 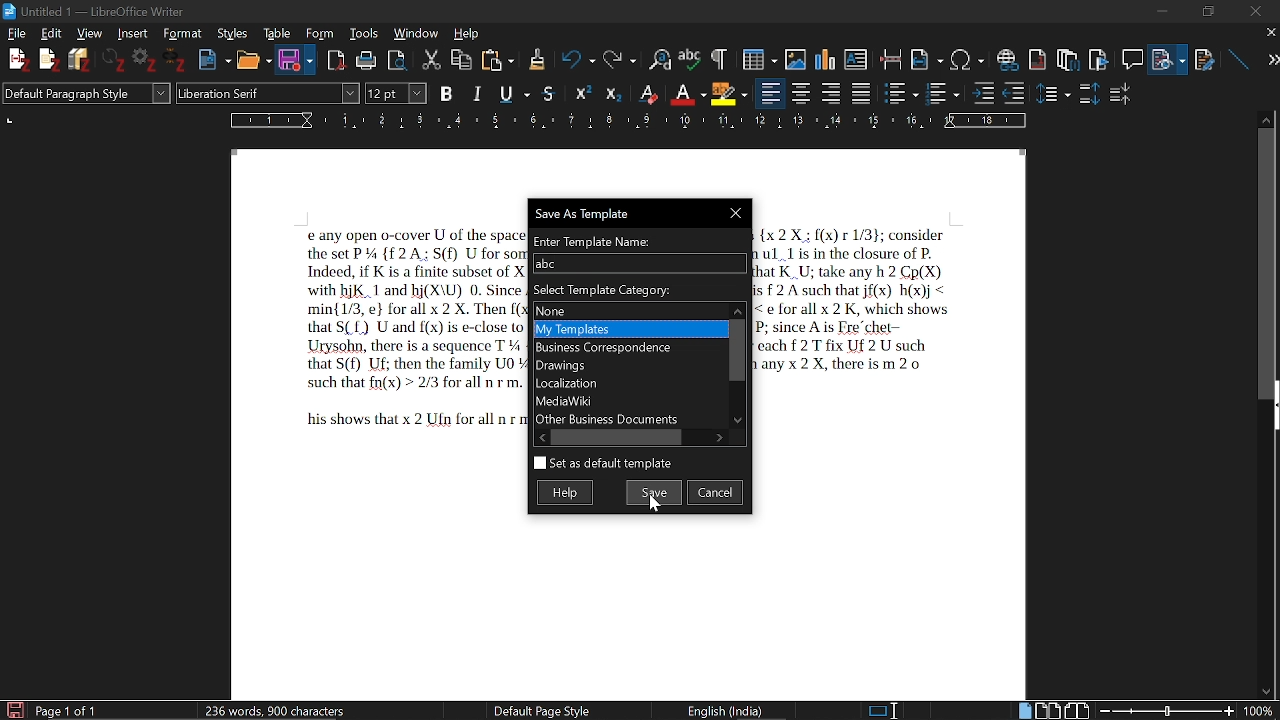 I want to click on Name of the template, so click(x=638, y=263).